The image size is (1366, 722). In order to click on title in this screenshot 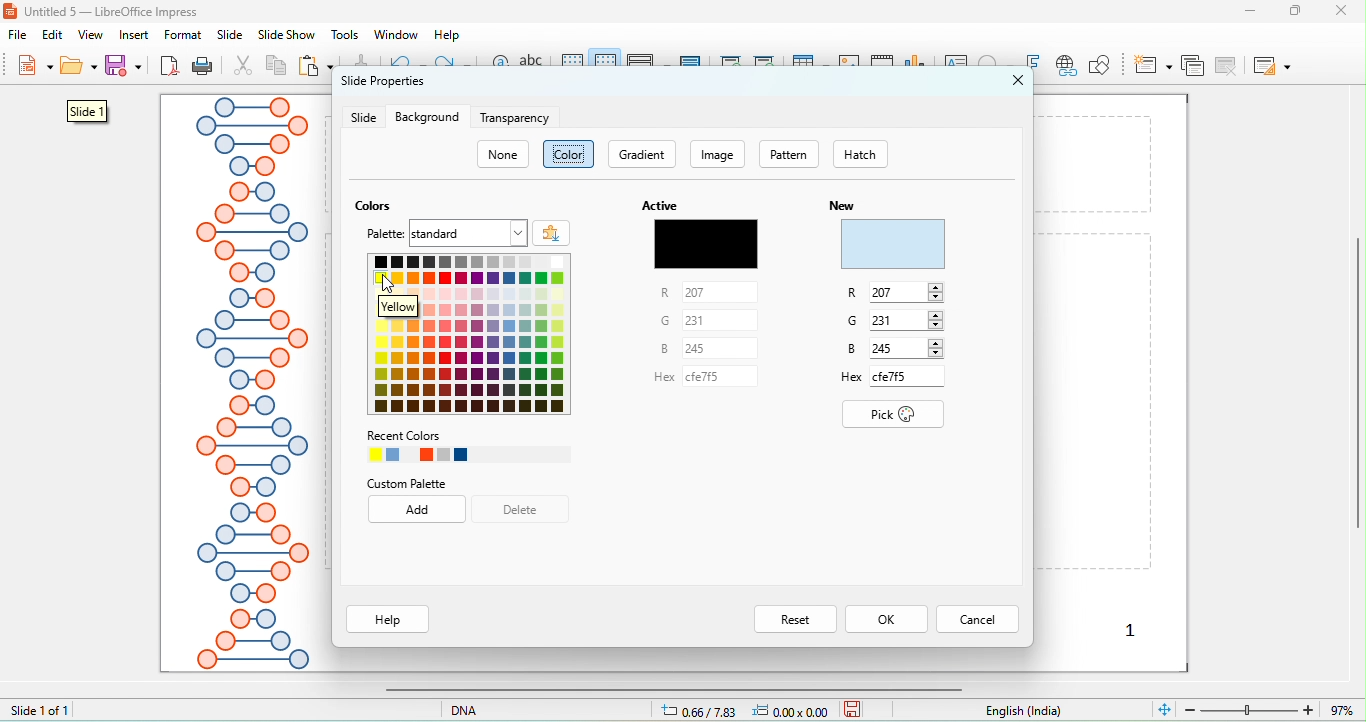, I will do `click(105, 11)`.